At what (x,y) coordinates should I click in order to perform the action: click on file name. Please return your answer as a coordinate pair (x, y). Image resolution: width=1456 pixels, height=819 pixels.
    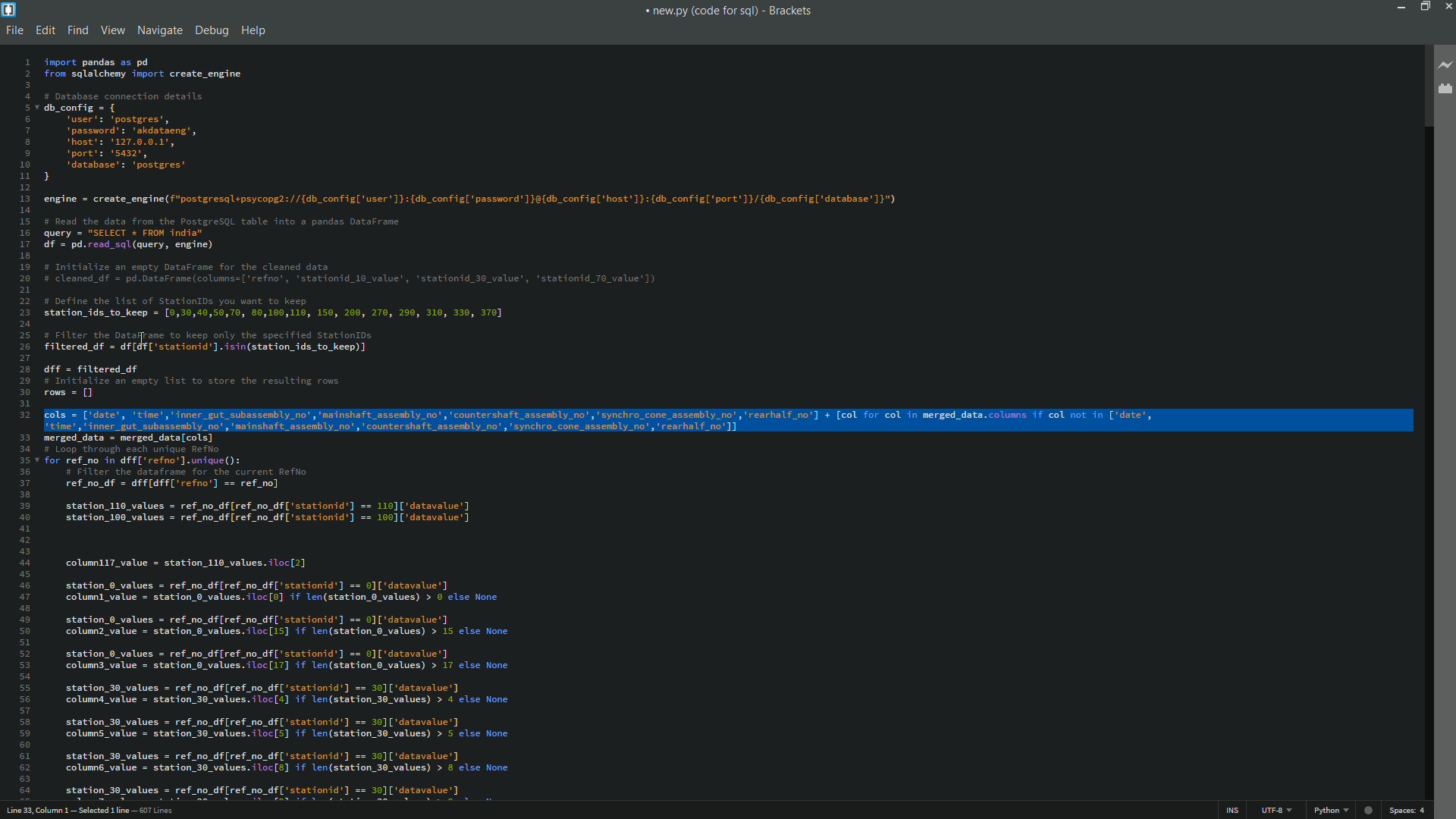
    Looking at the image, I should click on (701, 11).